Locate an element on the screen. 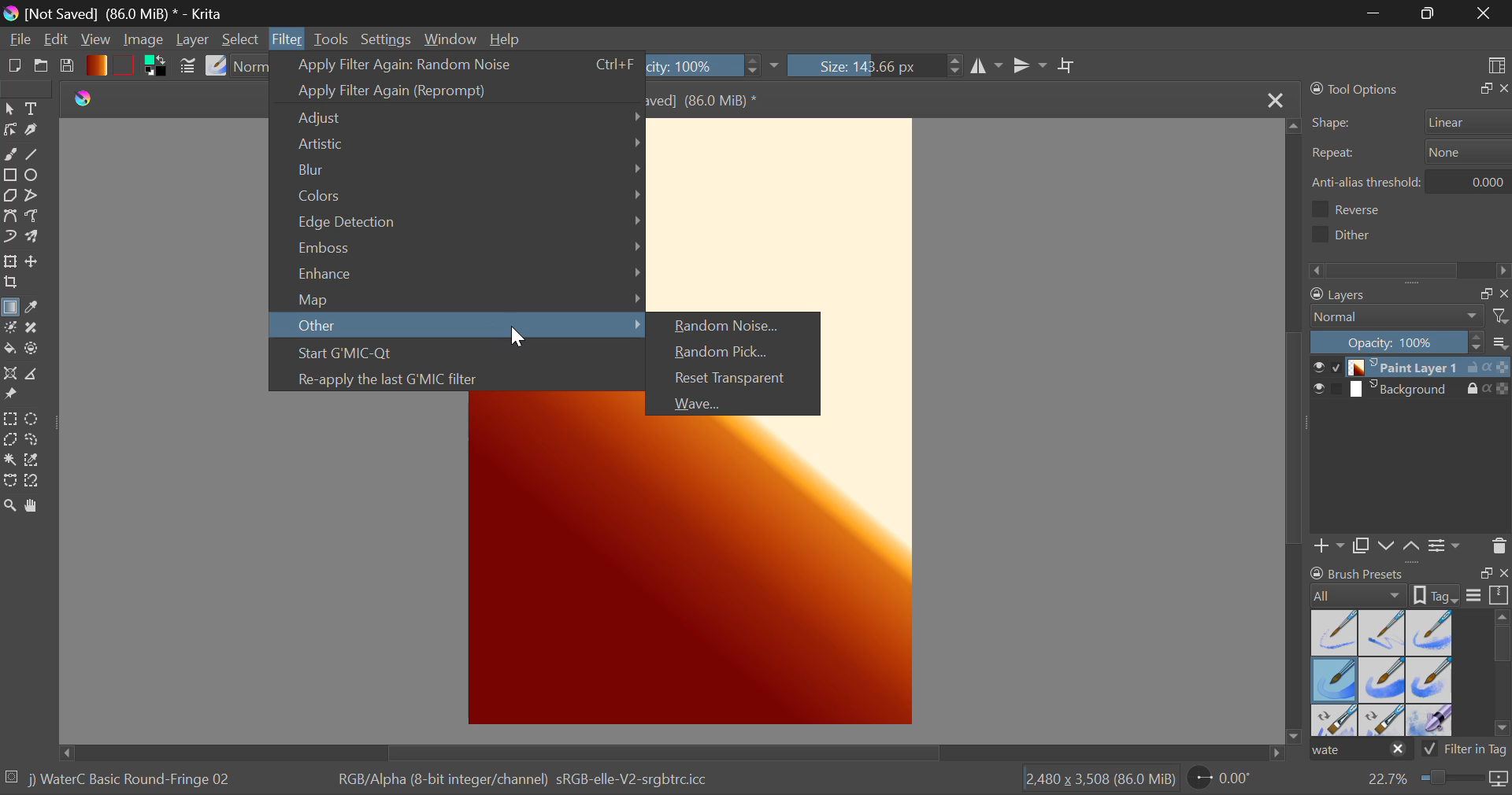 This screenshot has height=795, width=1512. Restore Down is located at coordinates (1376, 13).